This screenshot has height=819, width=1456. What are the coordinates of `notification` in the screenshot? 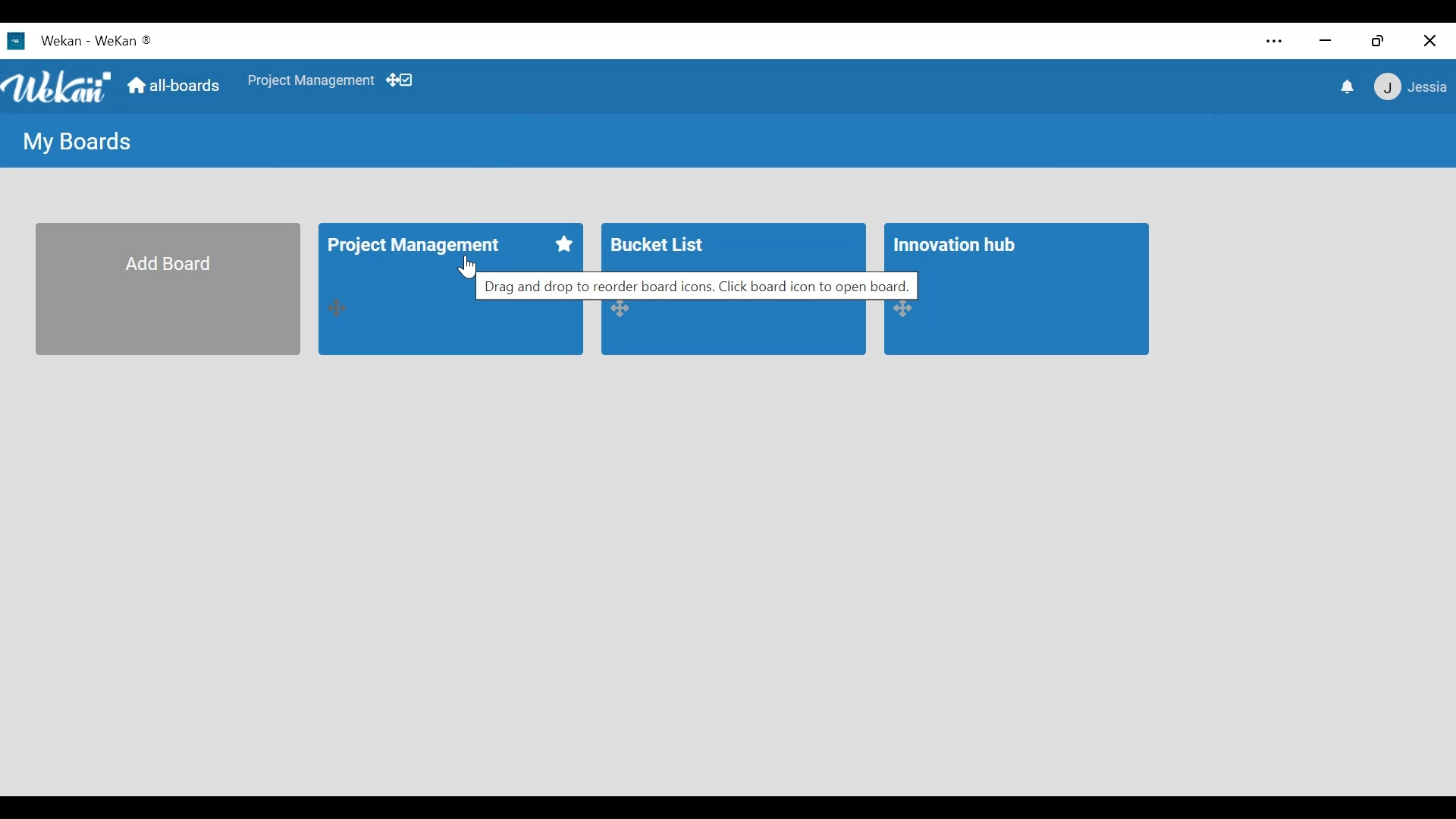 It's located at (1345, 87).